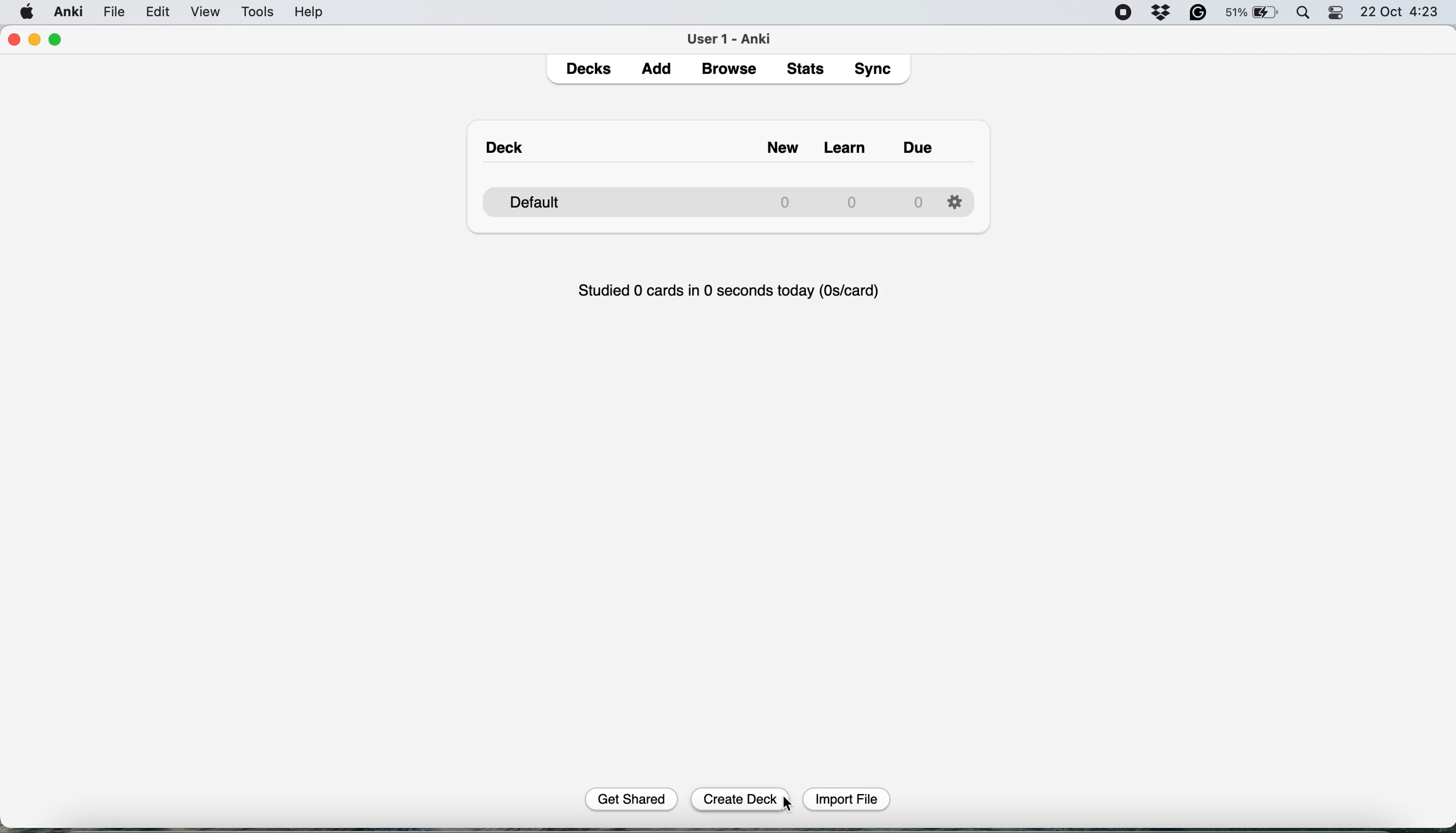 This screenshot has width=1456, height=833. What do you see at coordinates (929, 142) in the screenshot?
I see `Due` at bounding box center [929, 142].